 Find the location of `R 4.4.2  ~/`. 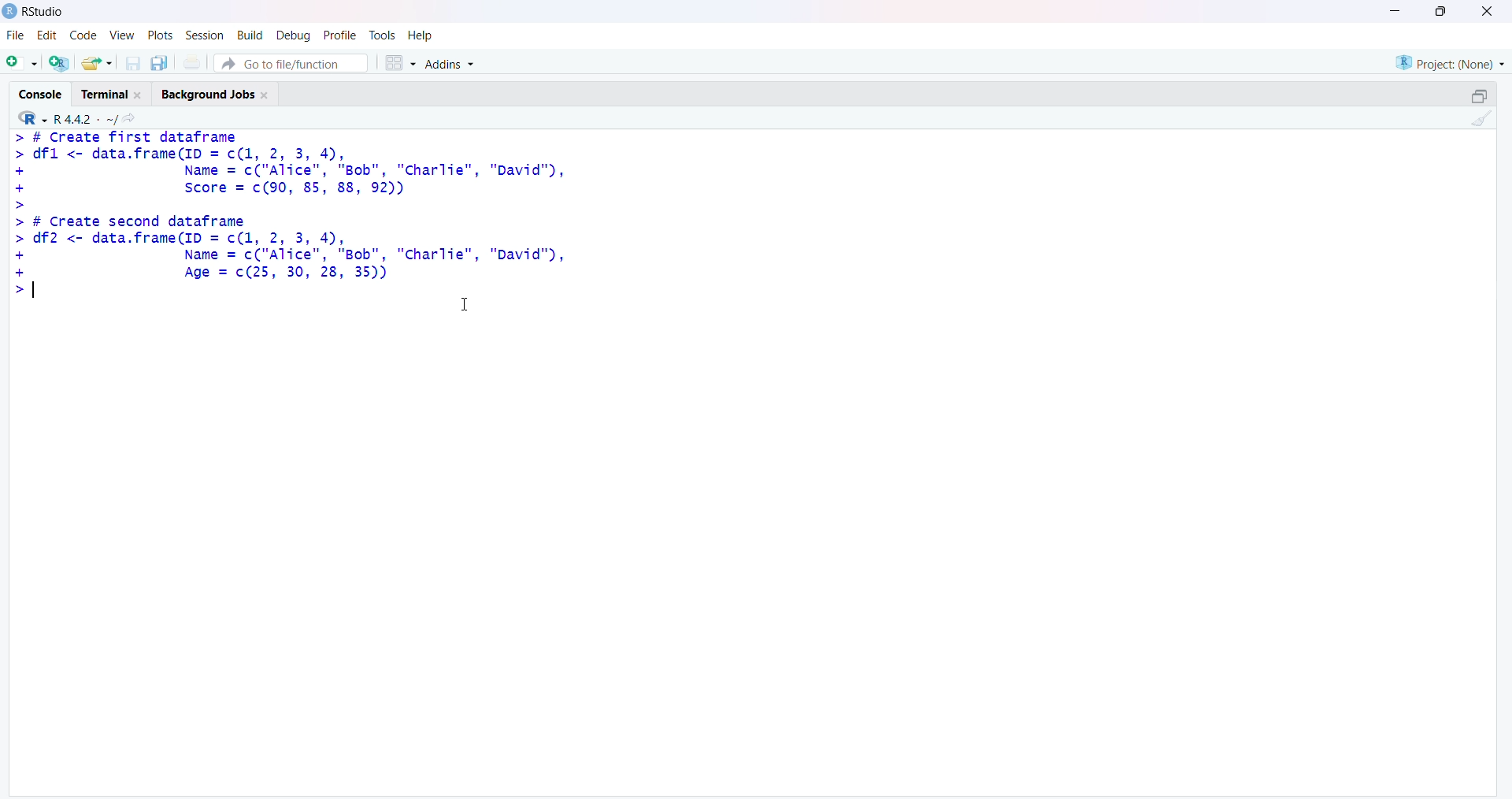

R 4.4.2  ~/ is located at coordinates (85, 119).